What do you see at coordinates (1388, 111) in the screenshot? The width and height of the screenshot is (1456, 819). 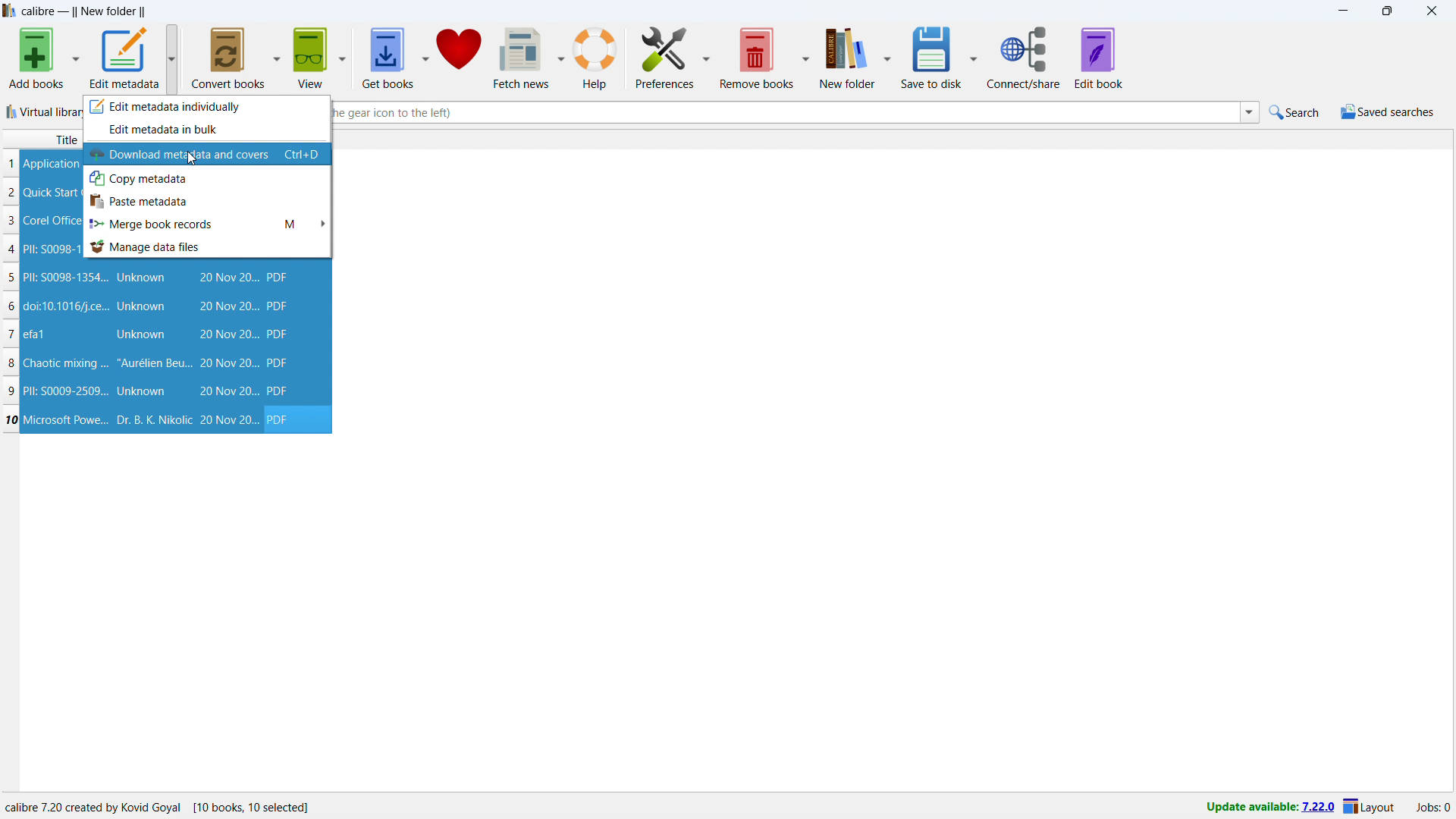 I see `saved searches` at bounding box center [1388, 111].